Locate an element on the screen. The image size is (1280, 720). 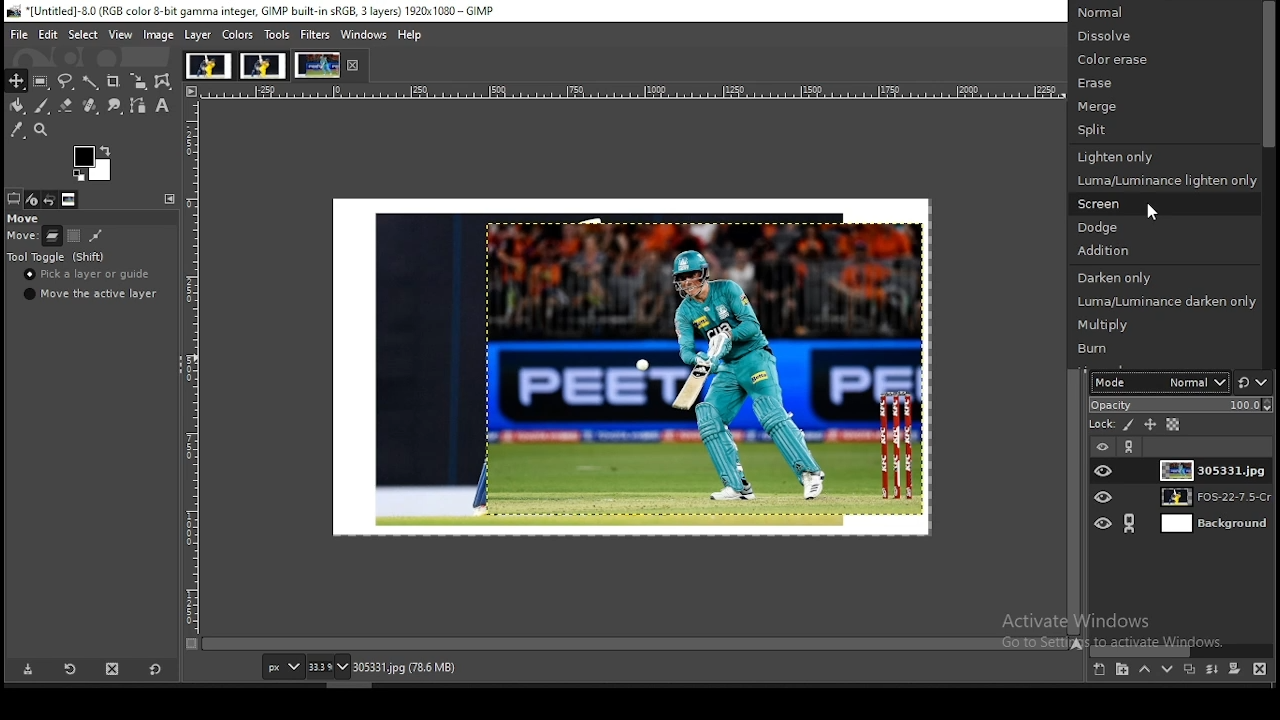
switch to other mode groups is located at coordinates (1254, 381).